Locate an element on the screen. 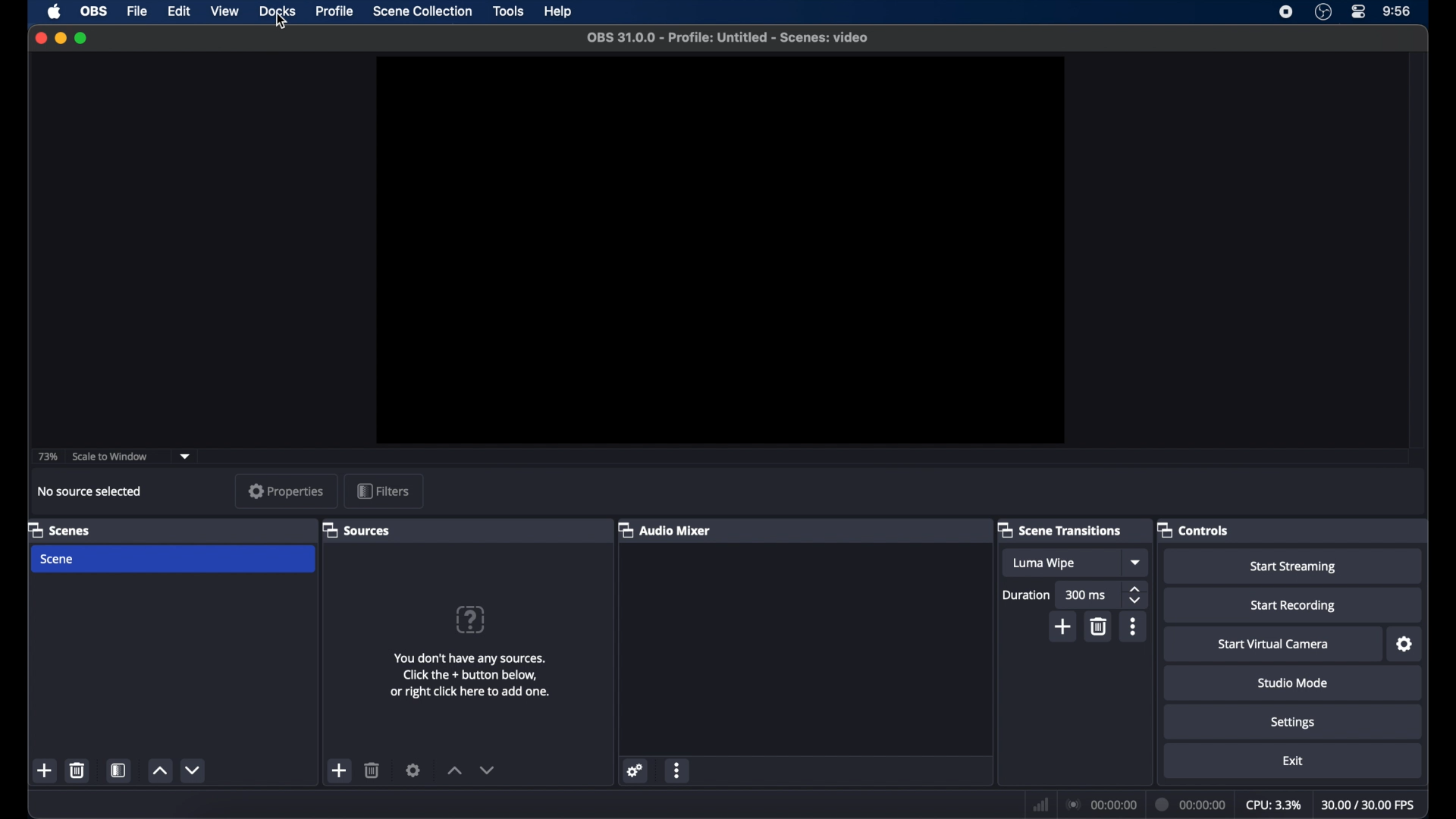 The image size is (1456, 819). add is located at coordinates (340, 770).